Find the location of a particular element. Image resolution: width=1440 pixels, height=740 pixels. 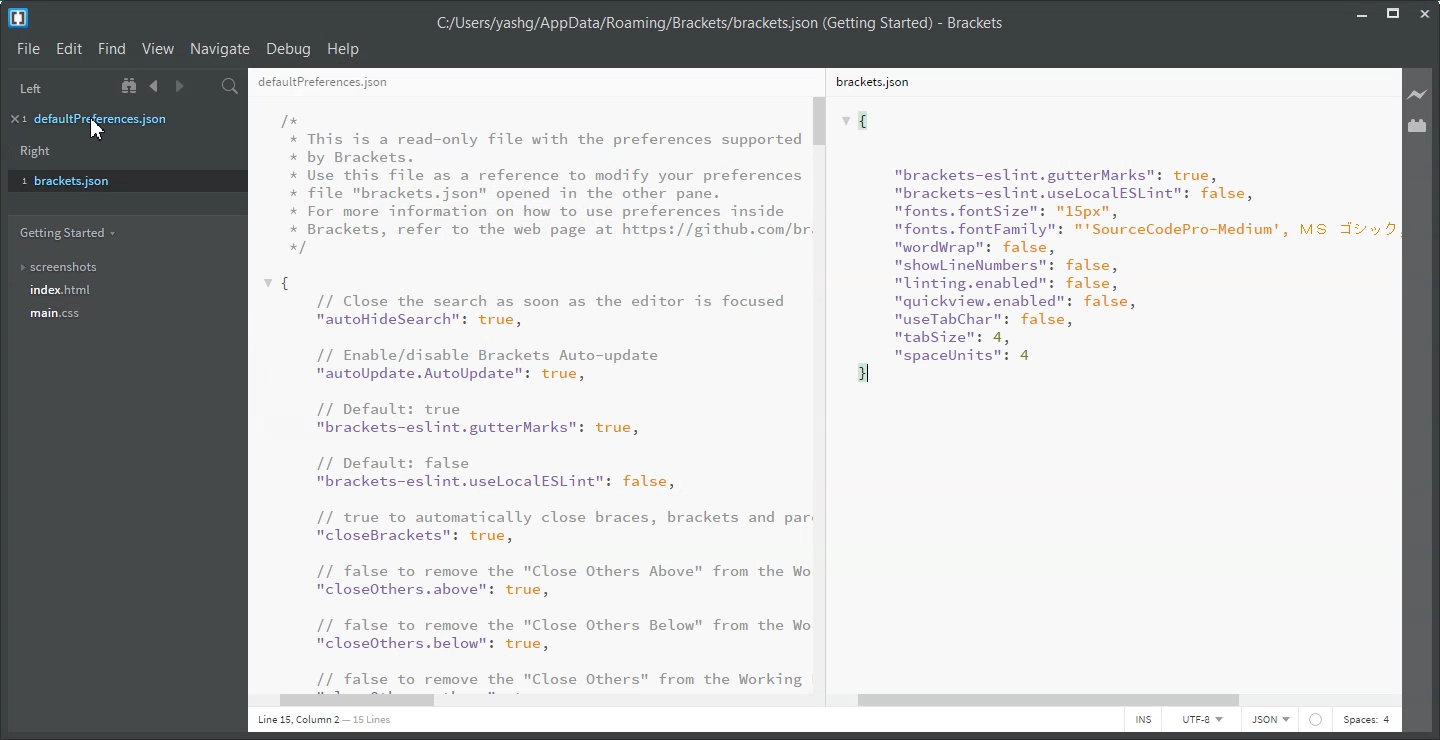

Navigate Backward is located at coordinates (154, 85).